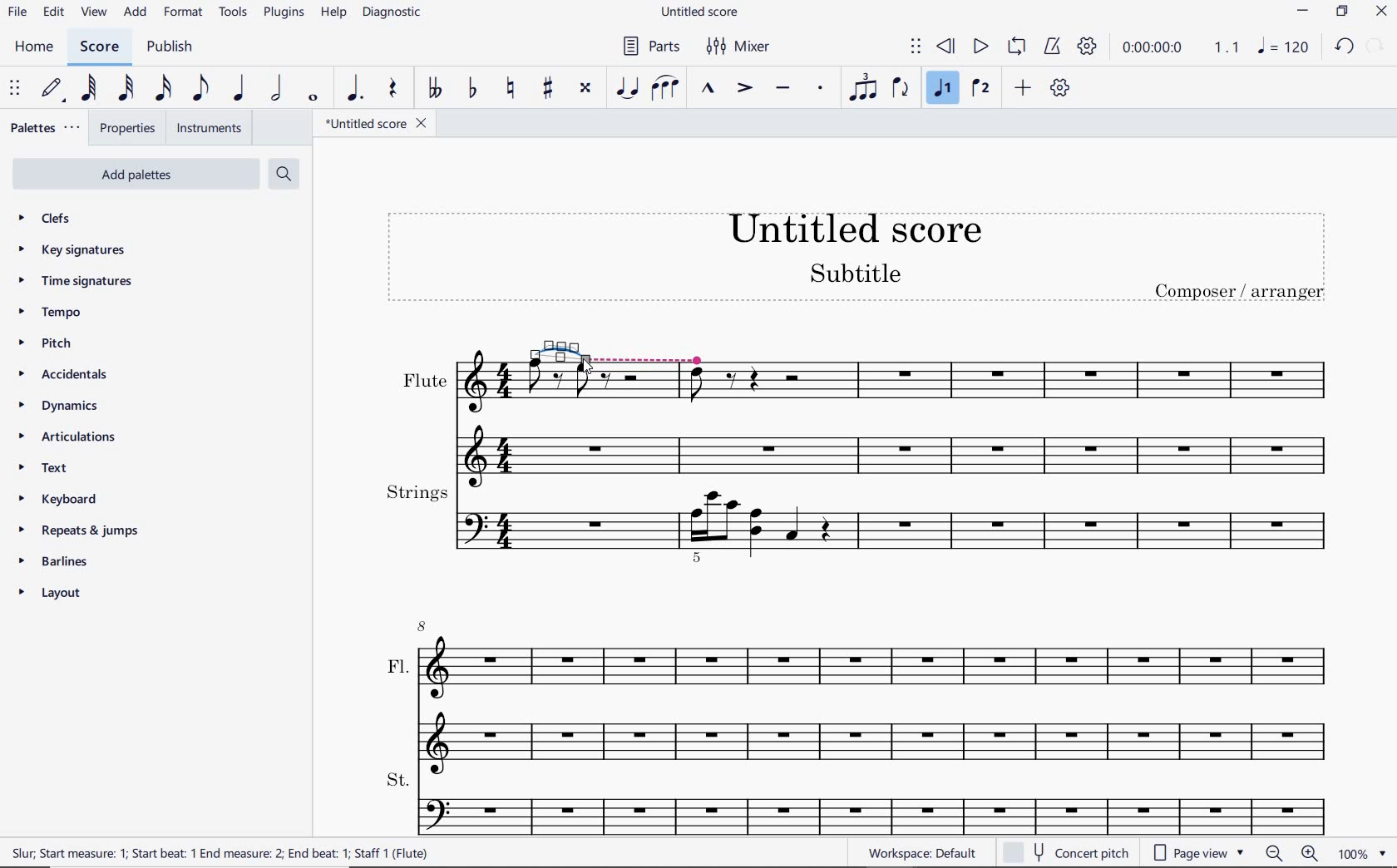  Describe the element at coordinates (663, 89) in the screenshot. I see `SLUR` at that location.